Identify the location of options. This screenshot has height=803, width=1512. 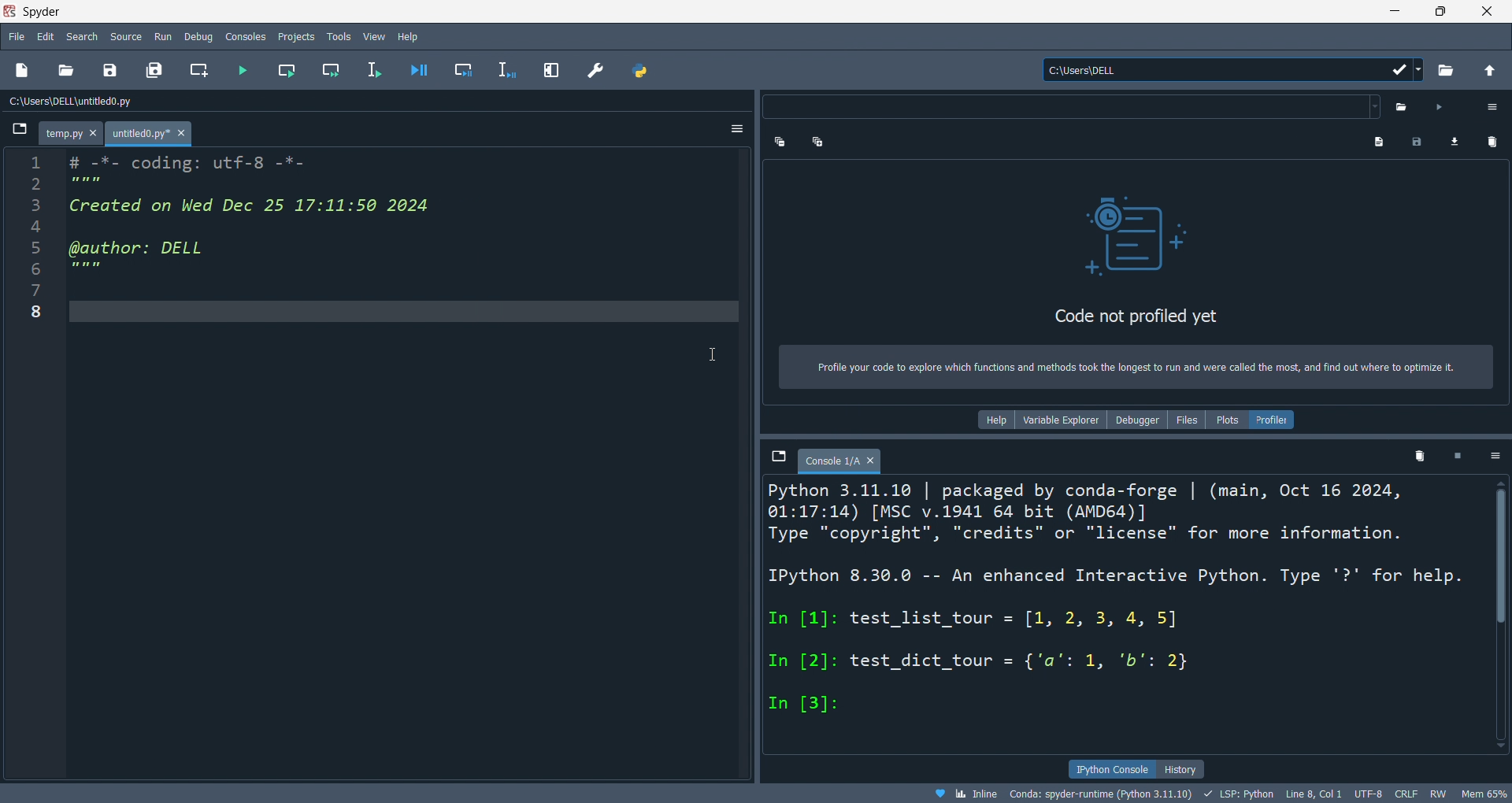
(736, 130).